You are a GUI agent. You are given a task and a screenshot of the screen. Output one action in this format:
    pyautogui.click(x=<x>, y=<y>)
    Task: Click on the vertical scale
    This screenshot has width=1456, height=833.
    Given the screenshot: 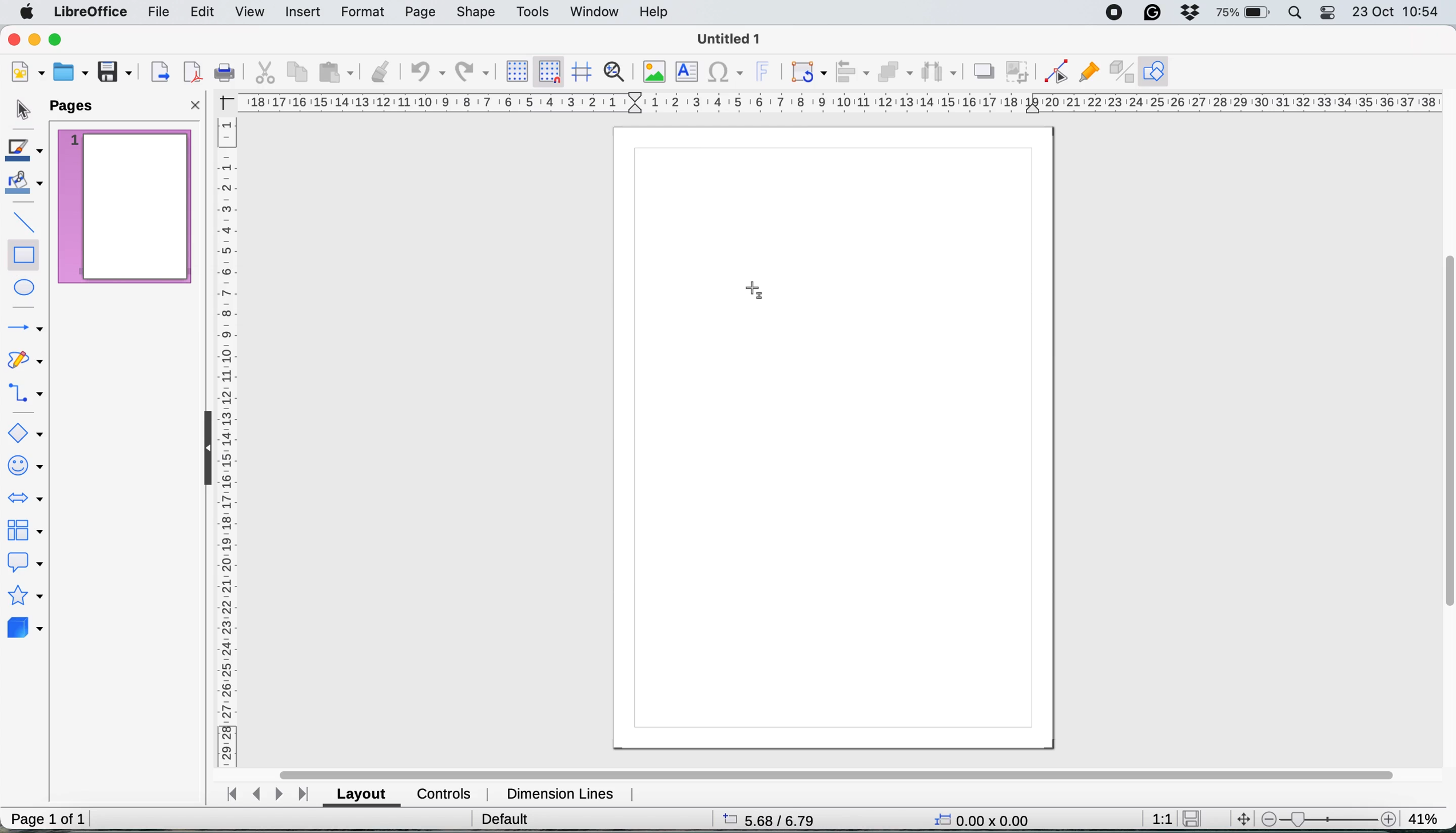 What is the action you would take?
    pyautogui.click(x=226, y=440)
    